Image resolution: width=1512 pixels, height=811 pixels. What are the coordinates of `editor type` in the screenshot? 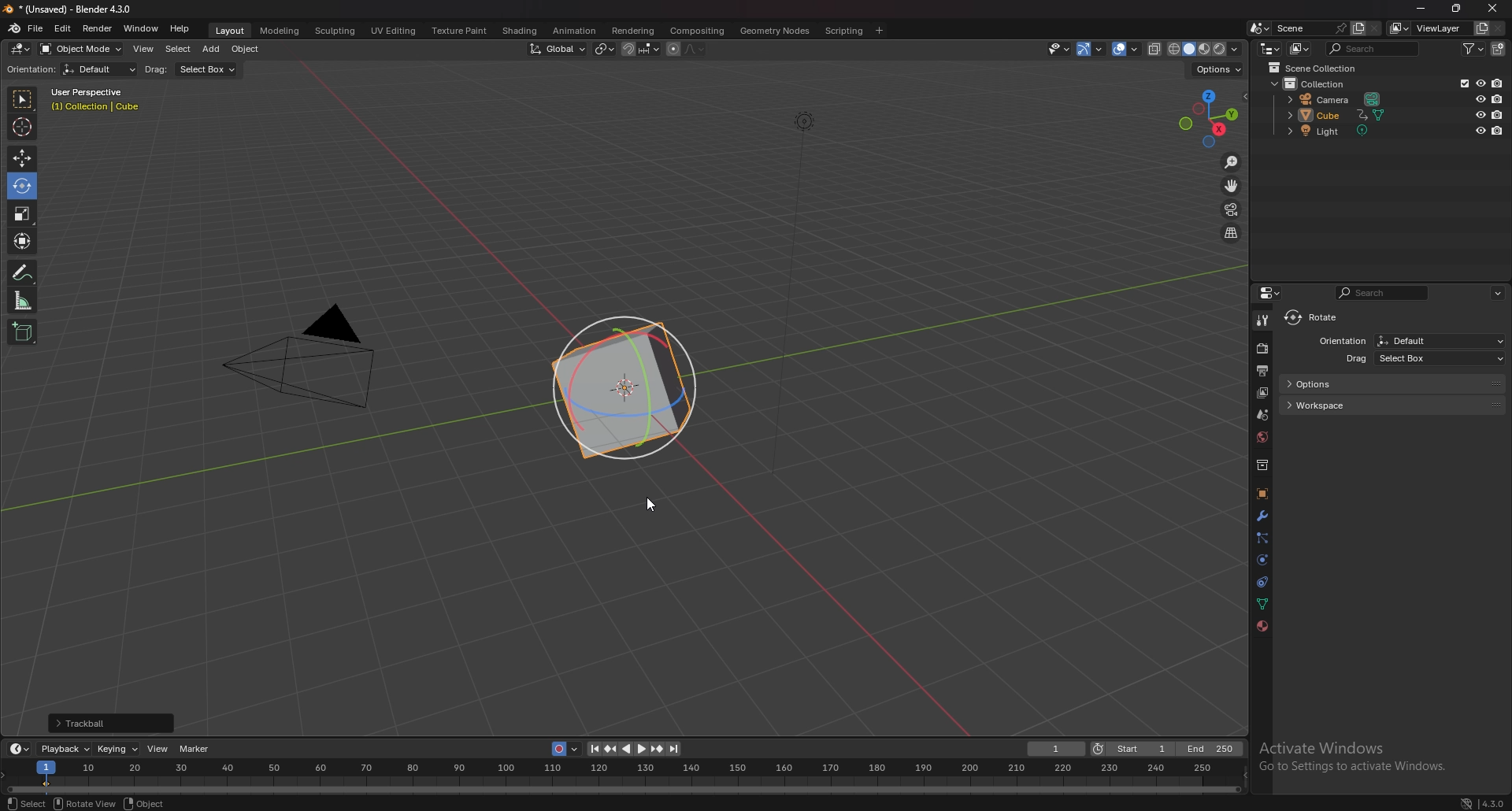 It's located at (20, 748).